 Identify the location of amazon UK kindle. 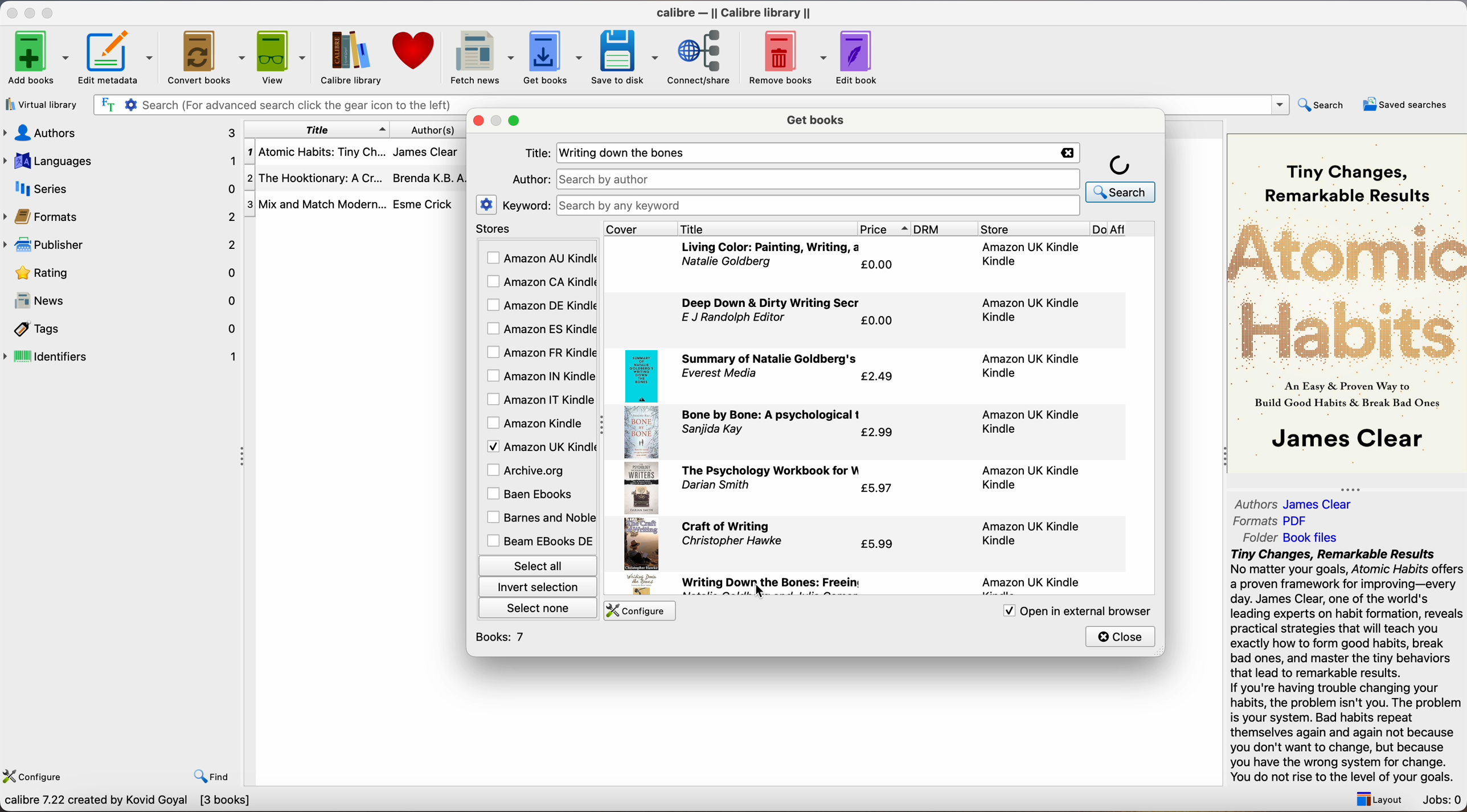
(1033, 420).